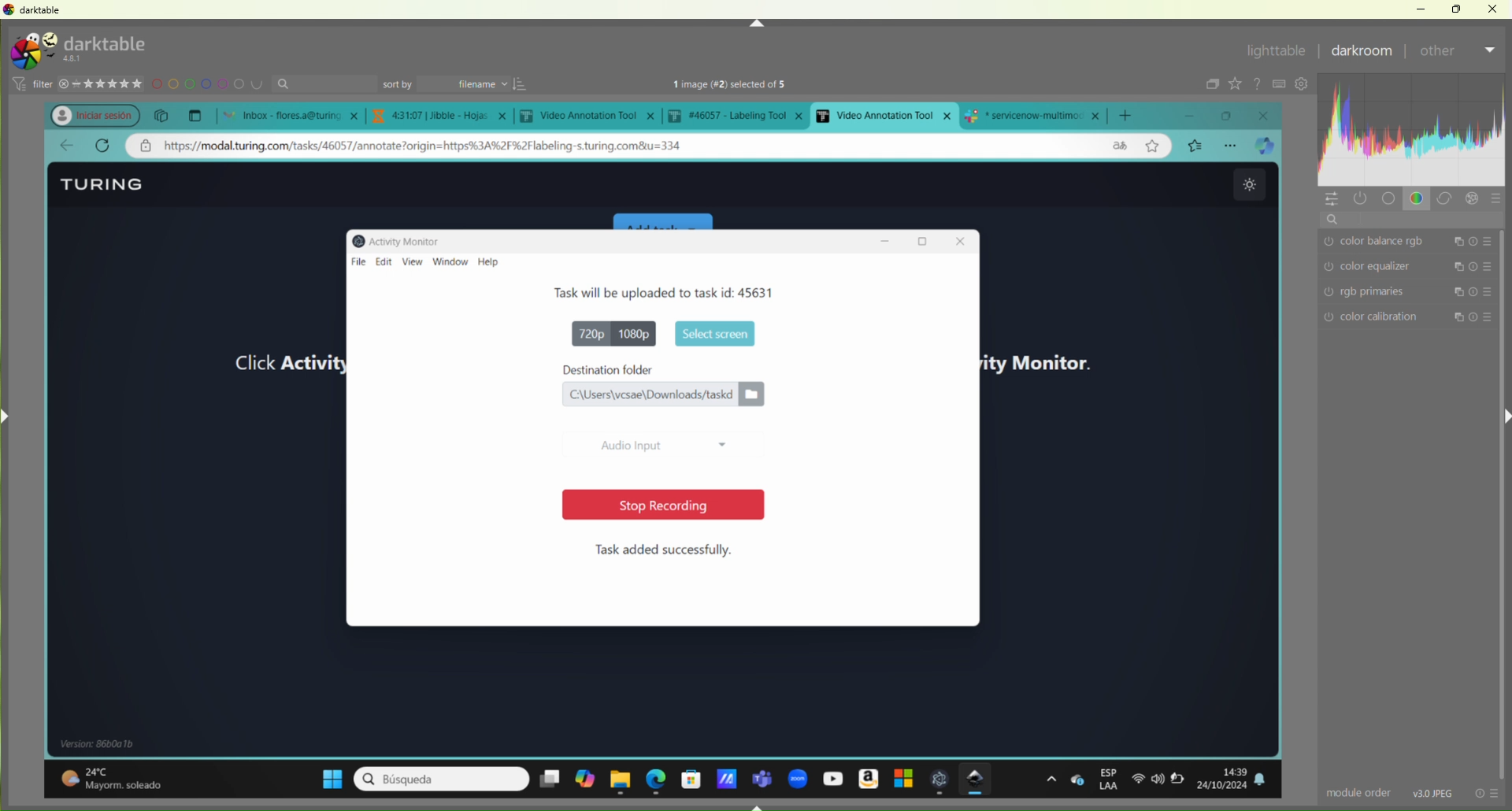 This screenshot has height=811, width=1512. What do you see at coordinates (443, 116) in the screenshot?
I see `tab` at bounding box center [443, 116].